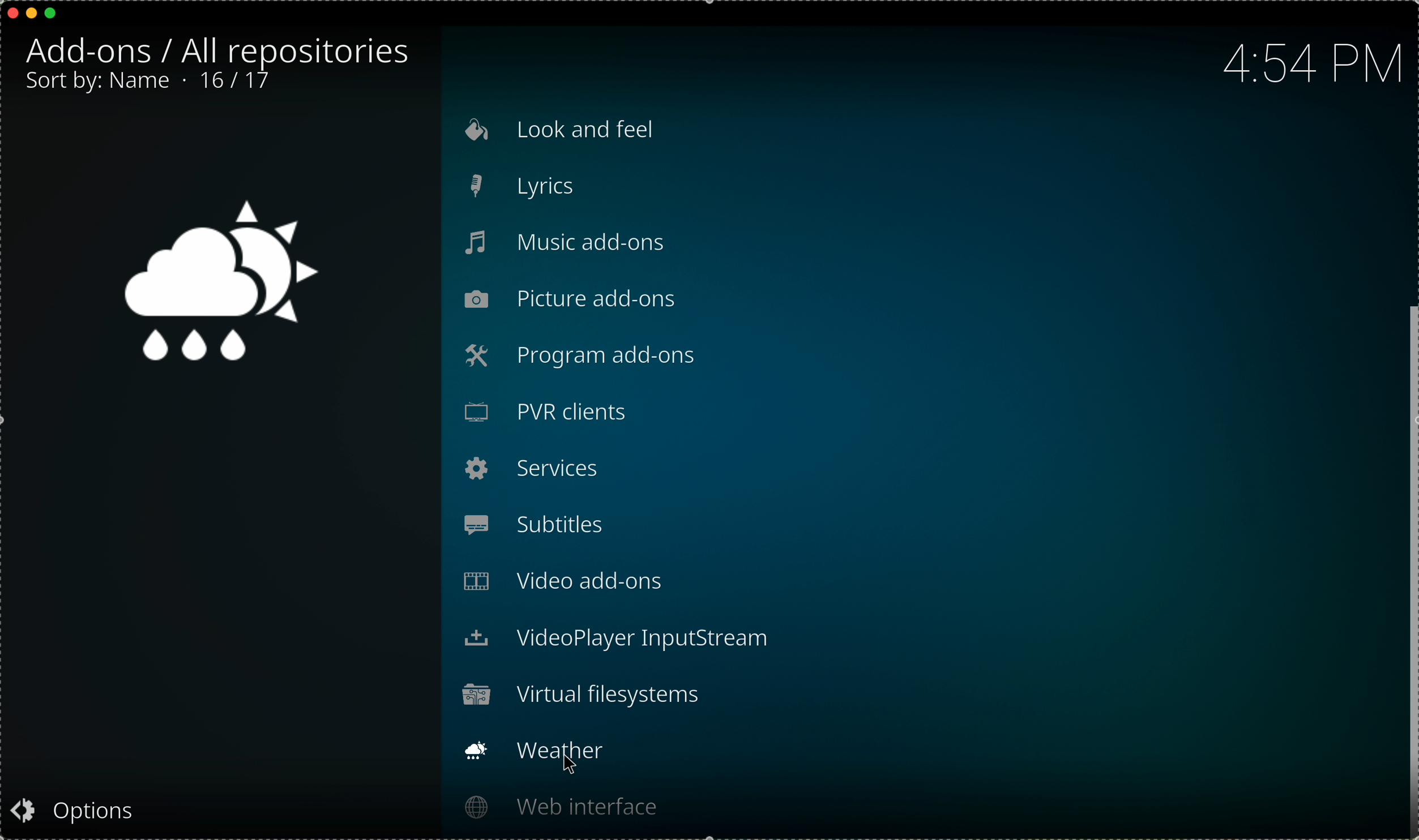  What do you see at coordinates (572, 768) in the screenshot?
I see `cursor` at bounding box center [572, 768].